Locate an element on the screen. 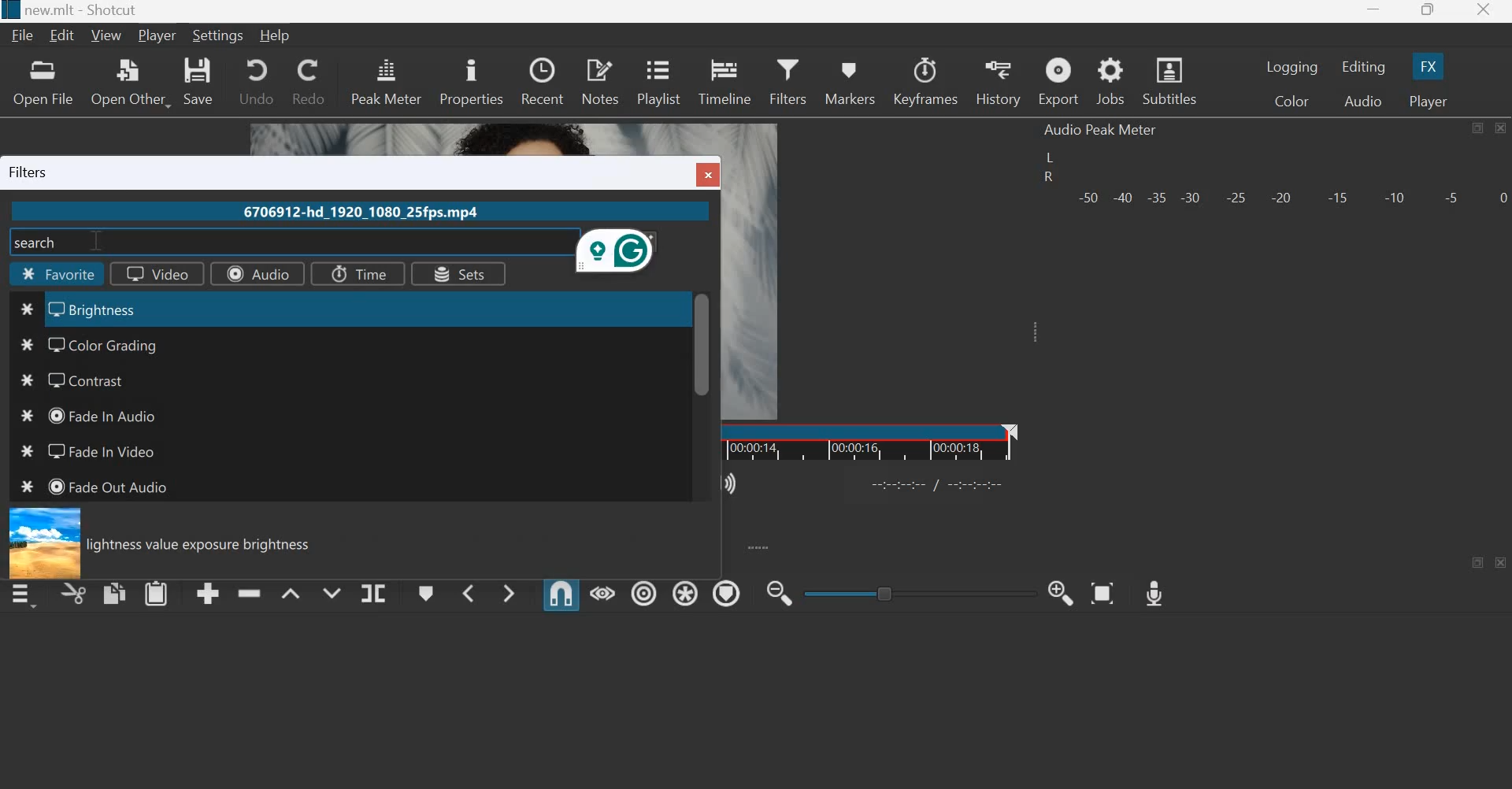  Record Audio is located at coordinates (1153, 589).